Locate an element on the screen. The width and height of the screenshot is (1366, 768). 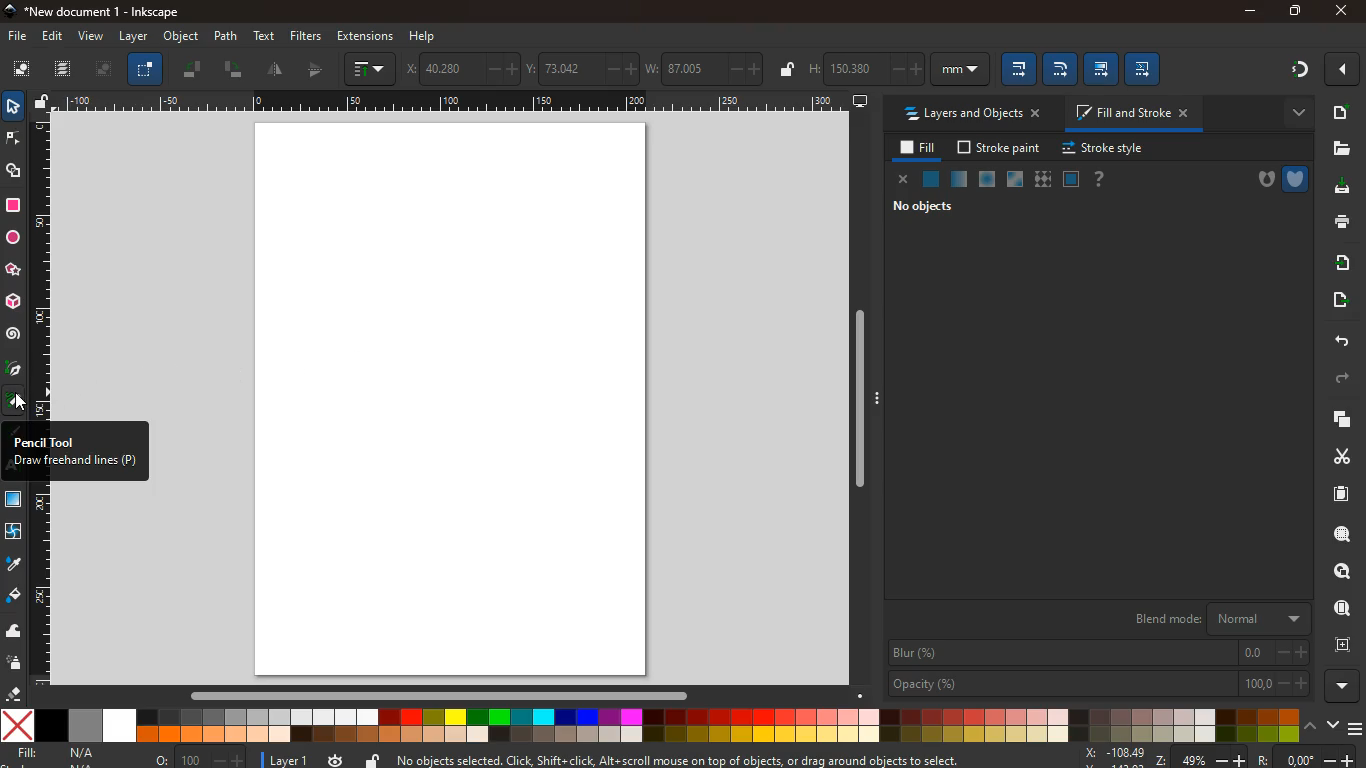
close is located at coordinates (1343, 11).